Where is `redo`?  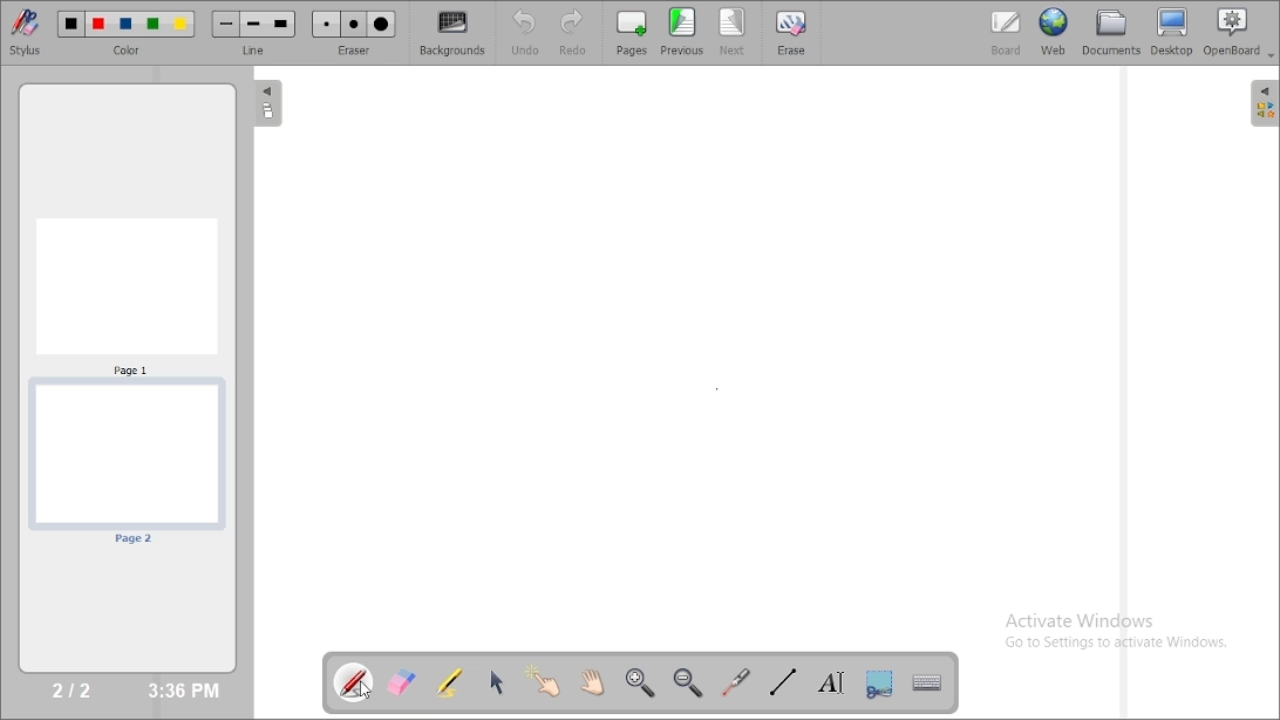
redo is located at coordinates (578, 32).